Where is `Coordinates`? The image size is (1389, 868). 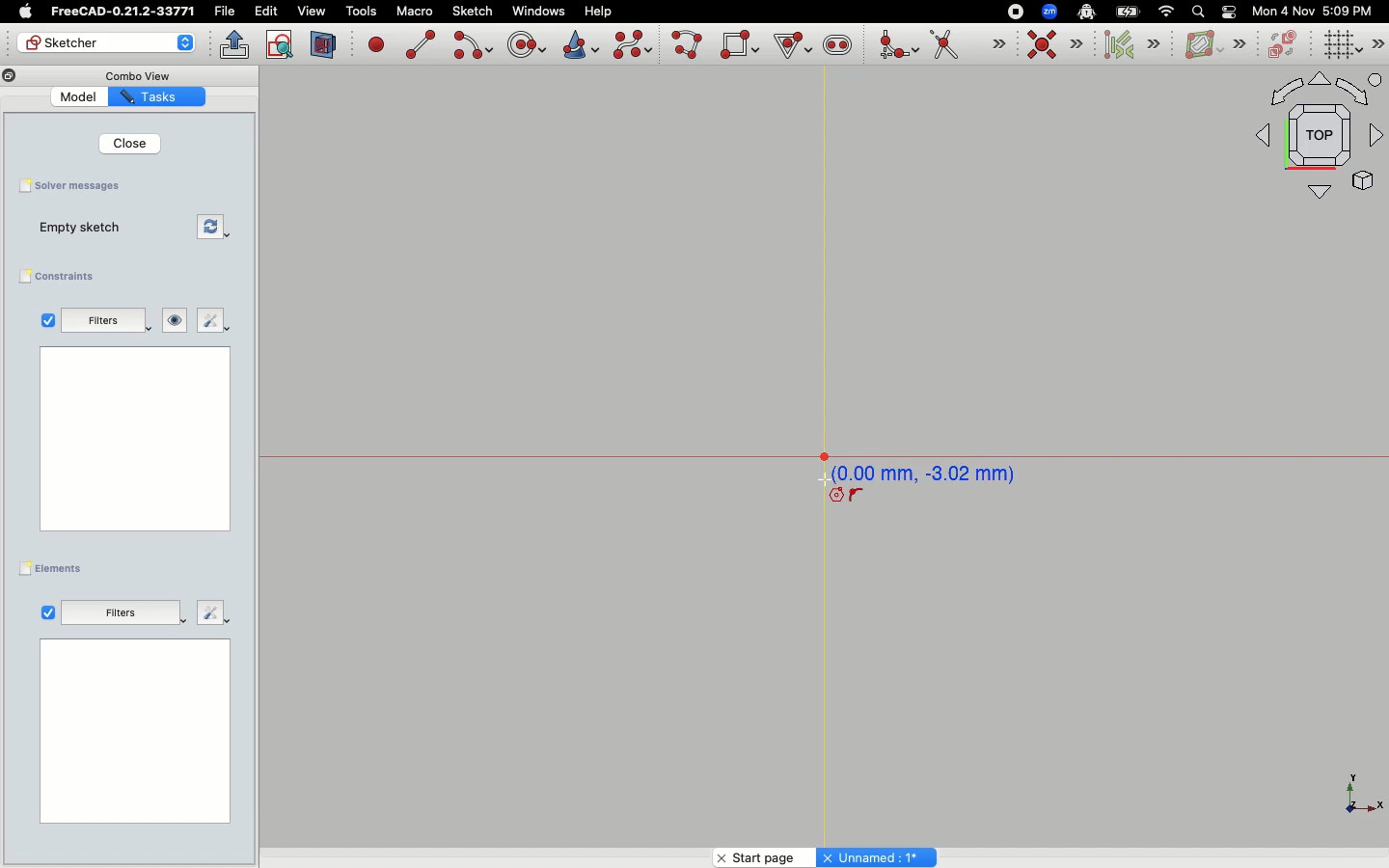
Coordinates is located at coordinates (934, 473).